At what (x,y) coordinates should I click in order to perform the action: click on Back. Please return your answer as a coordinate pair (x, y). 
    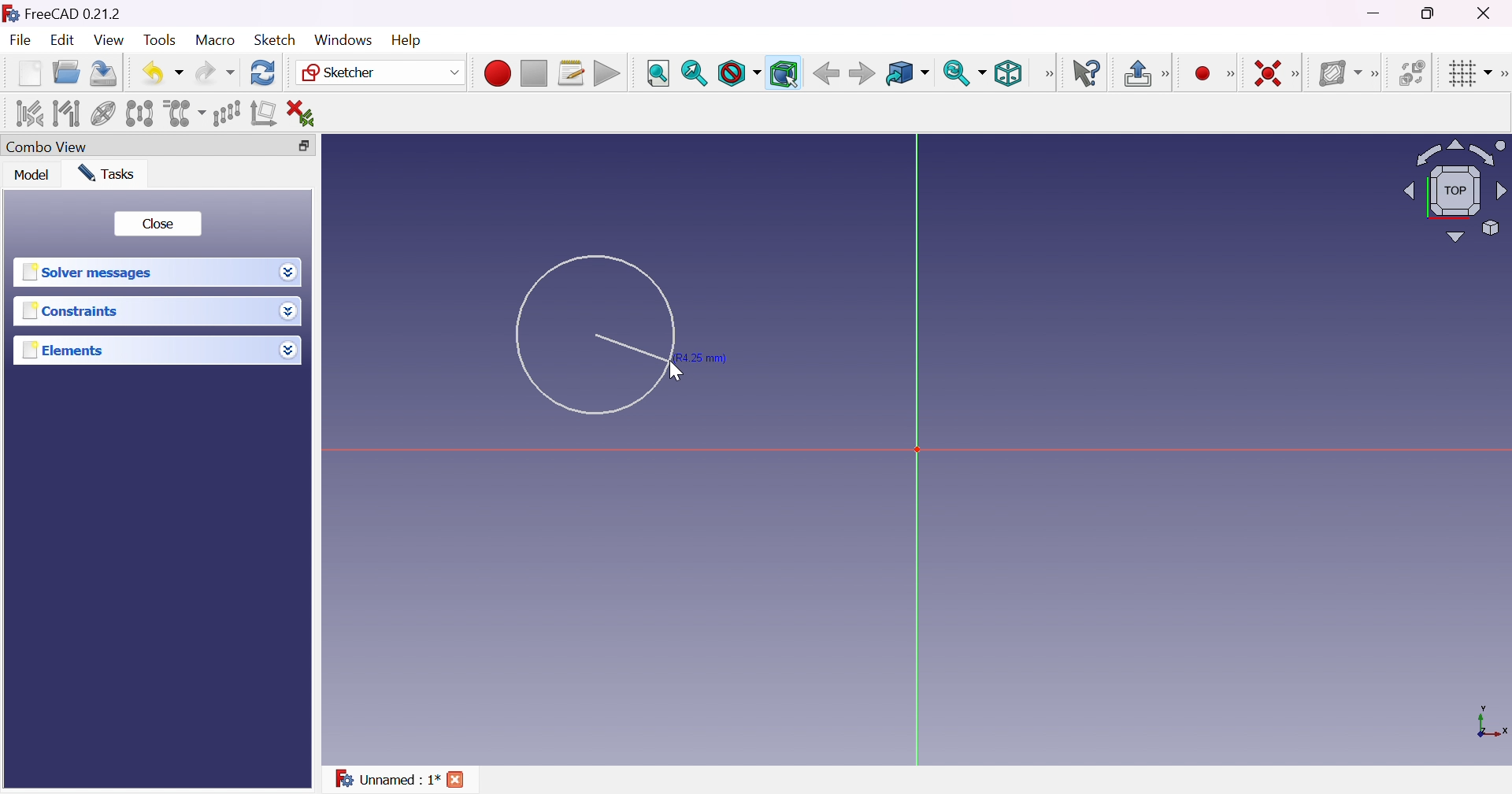
    Looking at the image, I should click on (861, 73).